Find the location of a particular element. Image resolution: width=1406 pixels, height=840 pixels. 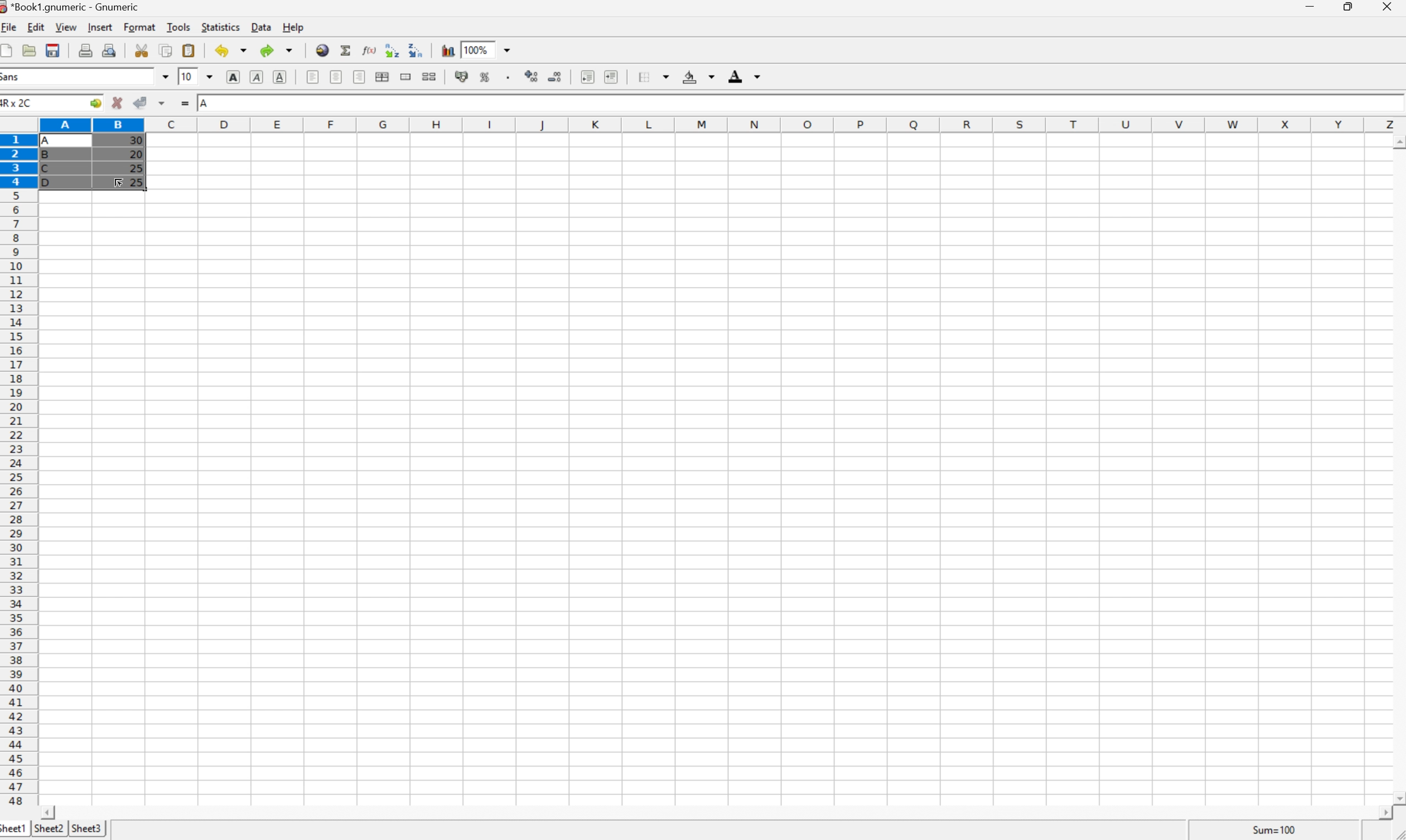

Sheet1 is located at coordinates (14, 830).